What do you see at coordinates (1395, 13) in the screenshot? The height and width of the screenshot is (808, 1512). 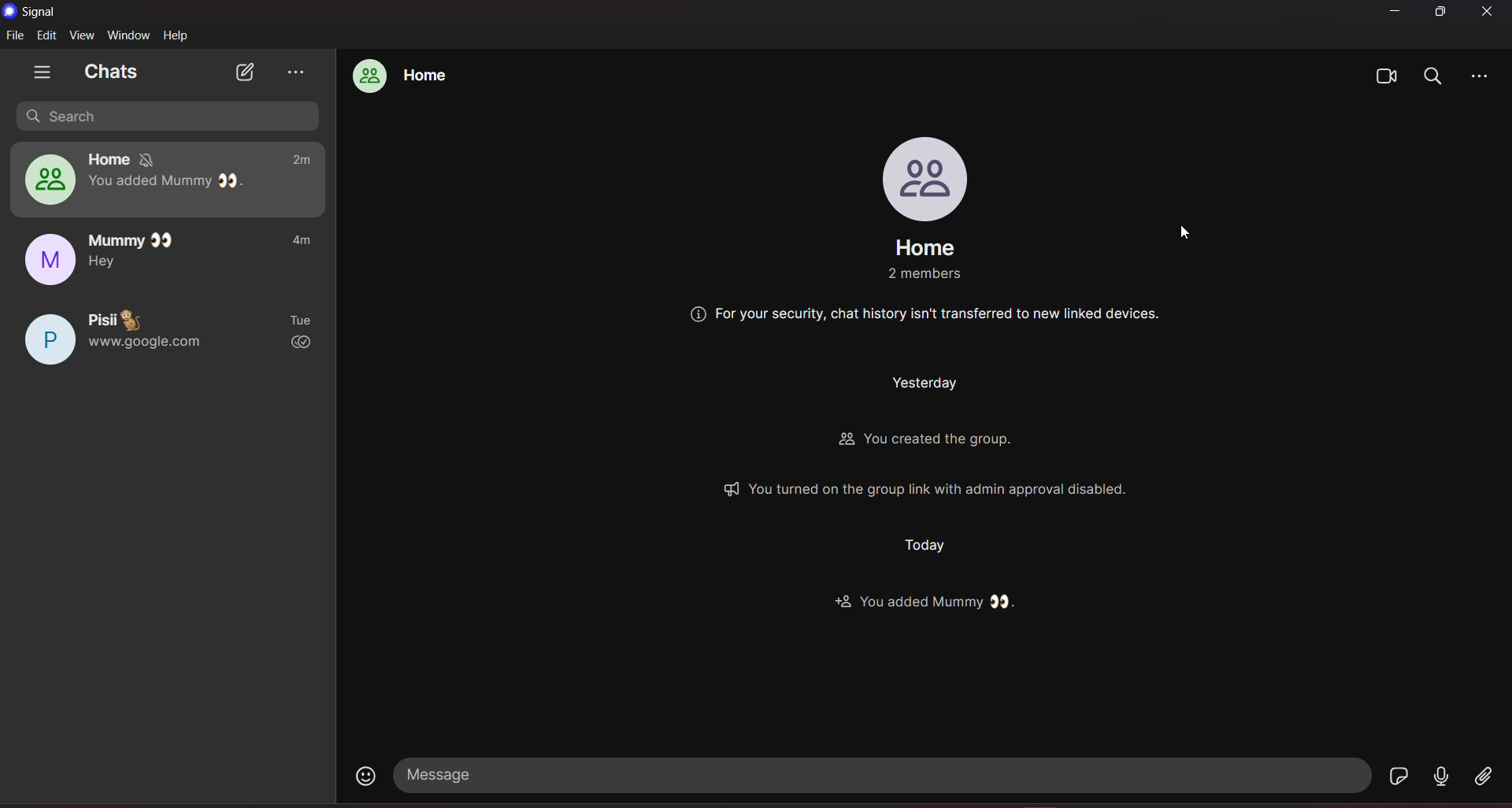 I see `minimize` at bounding box center [1395, 13].